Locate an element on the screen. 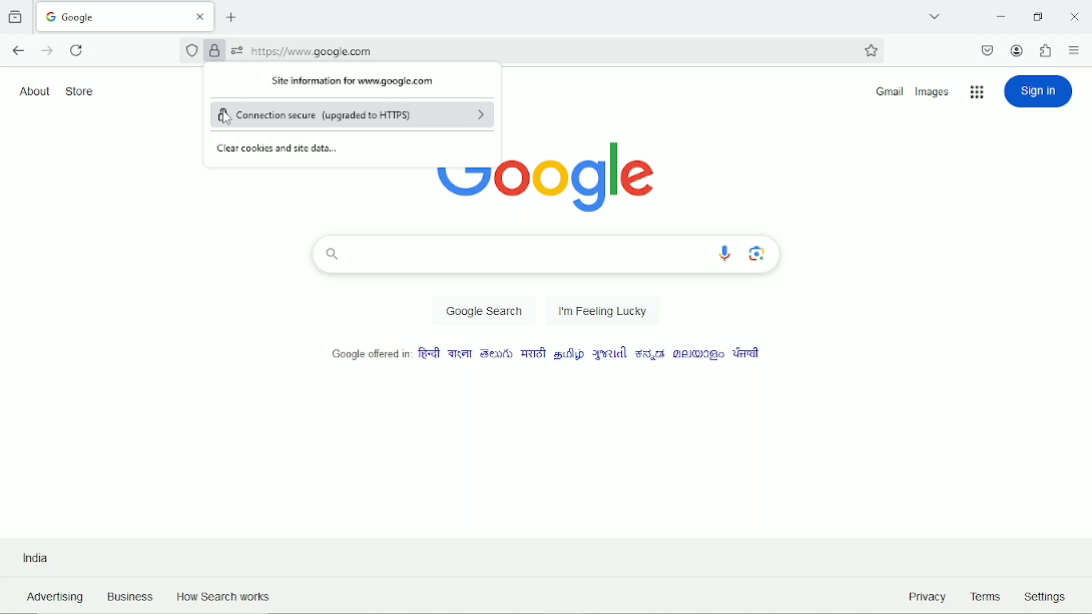 The width and height of the screenshot is (1092, 614). Verified by Google Trust Services is located at coordinates (215, 52).